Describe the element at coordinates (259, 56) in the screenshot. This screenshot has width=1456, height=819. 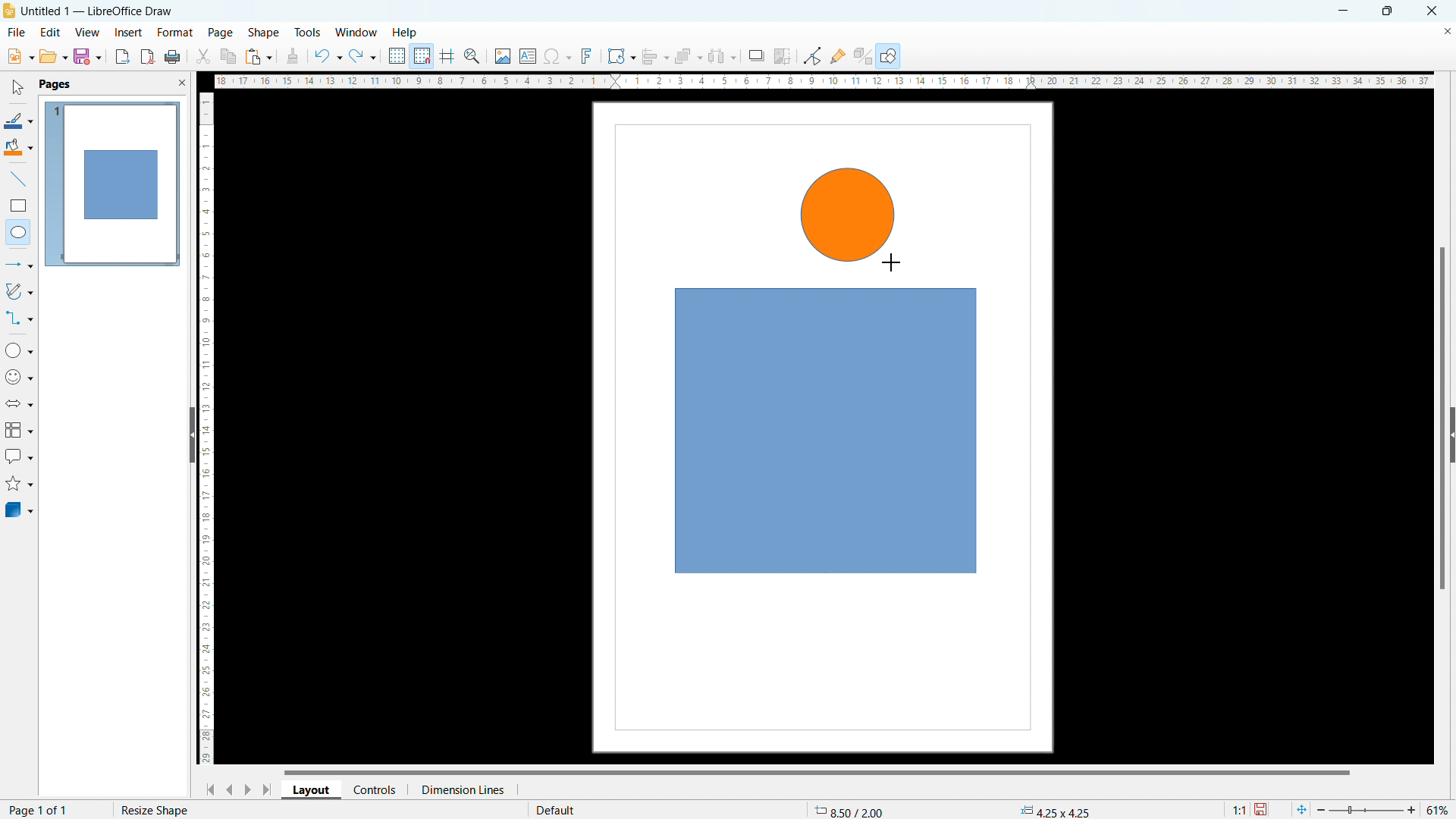
I see `paste` at that location.